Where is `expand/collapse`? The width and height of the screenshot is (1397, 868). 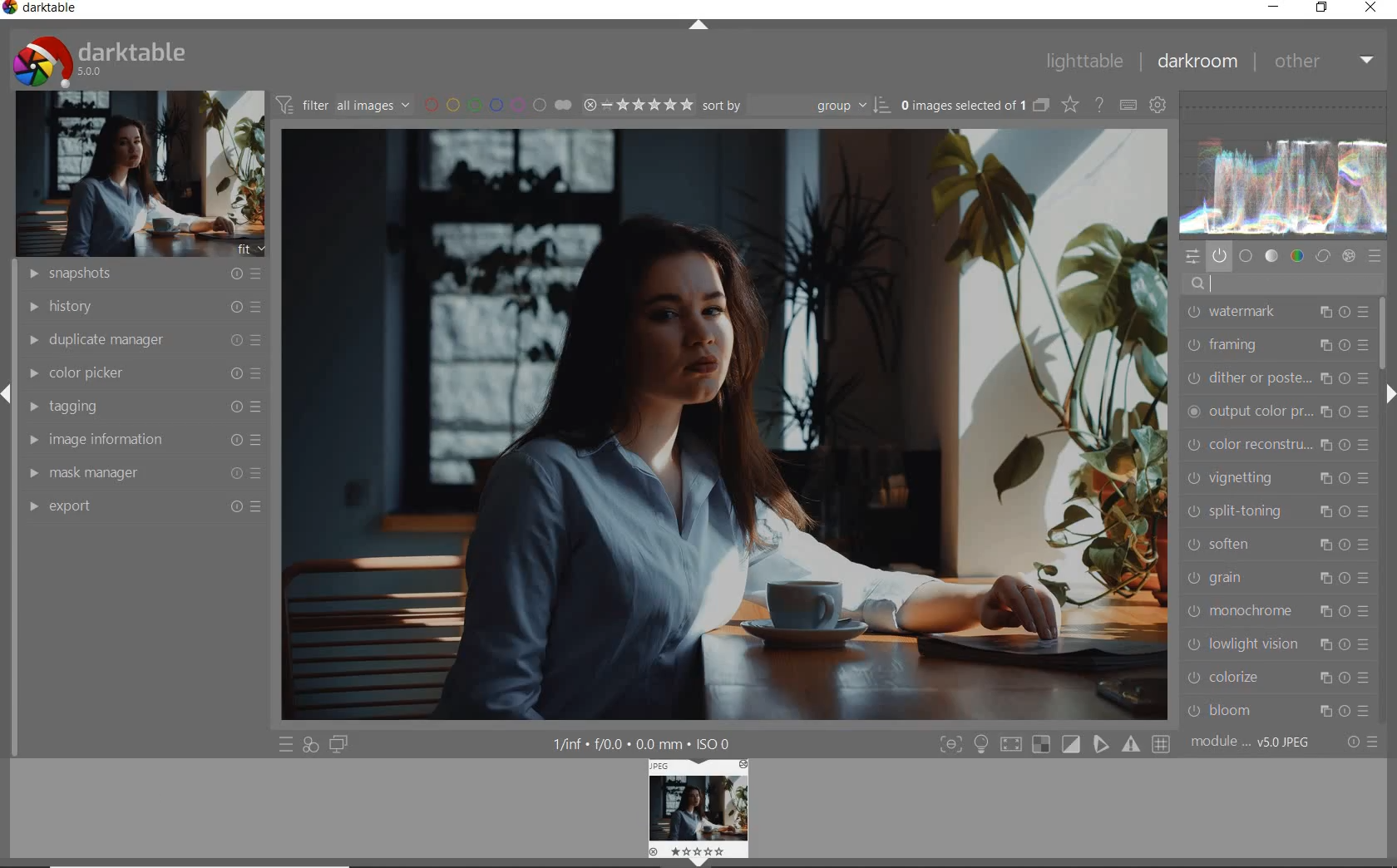 expand/collapse is located at coordinates (698, 27).